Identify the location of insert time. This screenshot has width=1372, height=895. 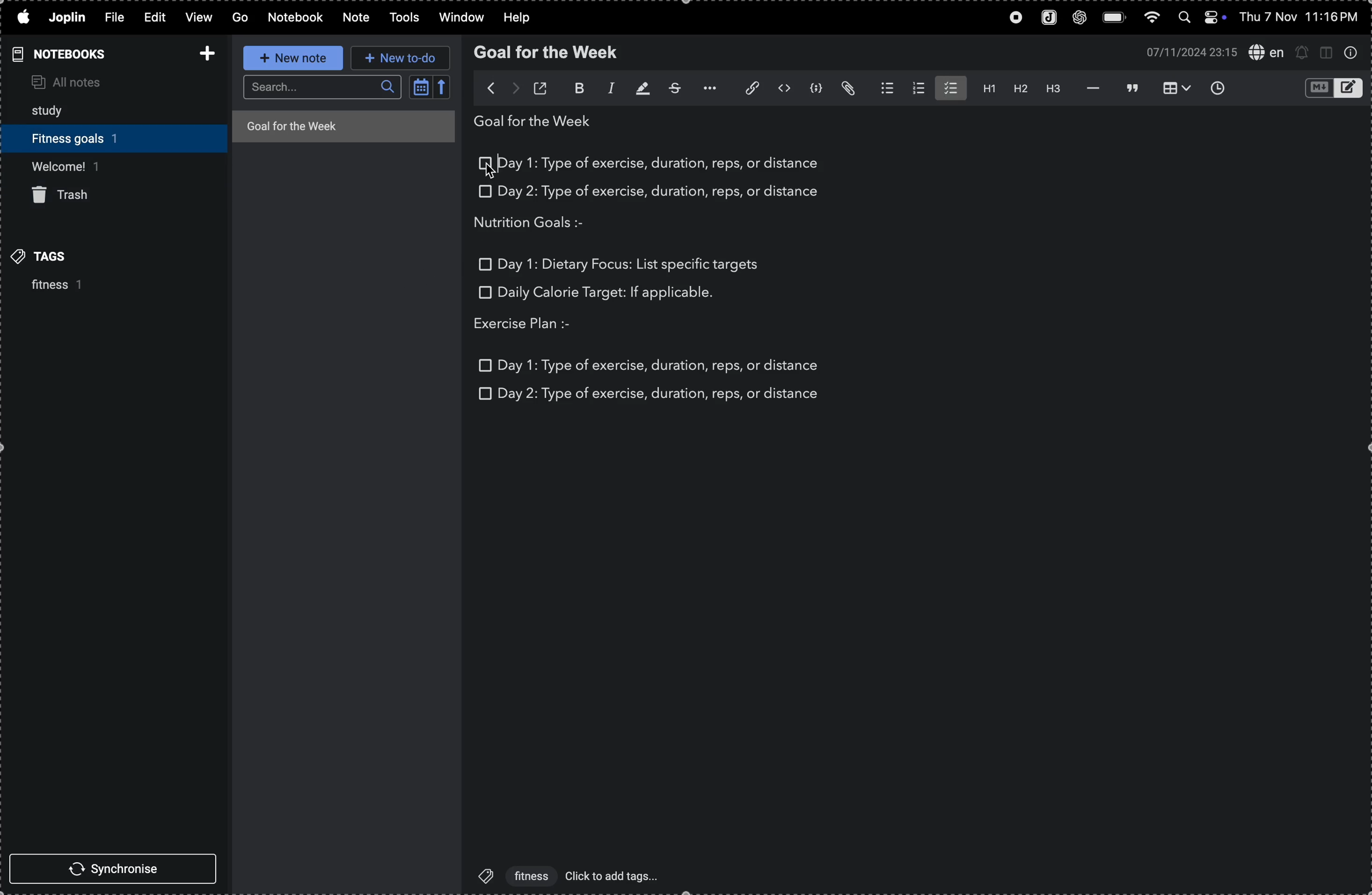
(1222, 88).